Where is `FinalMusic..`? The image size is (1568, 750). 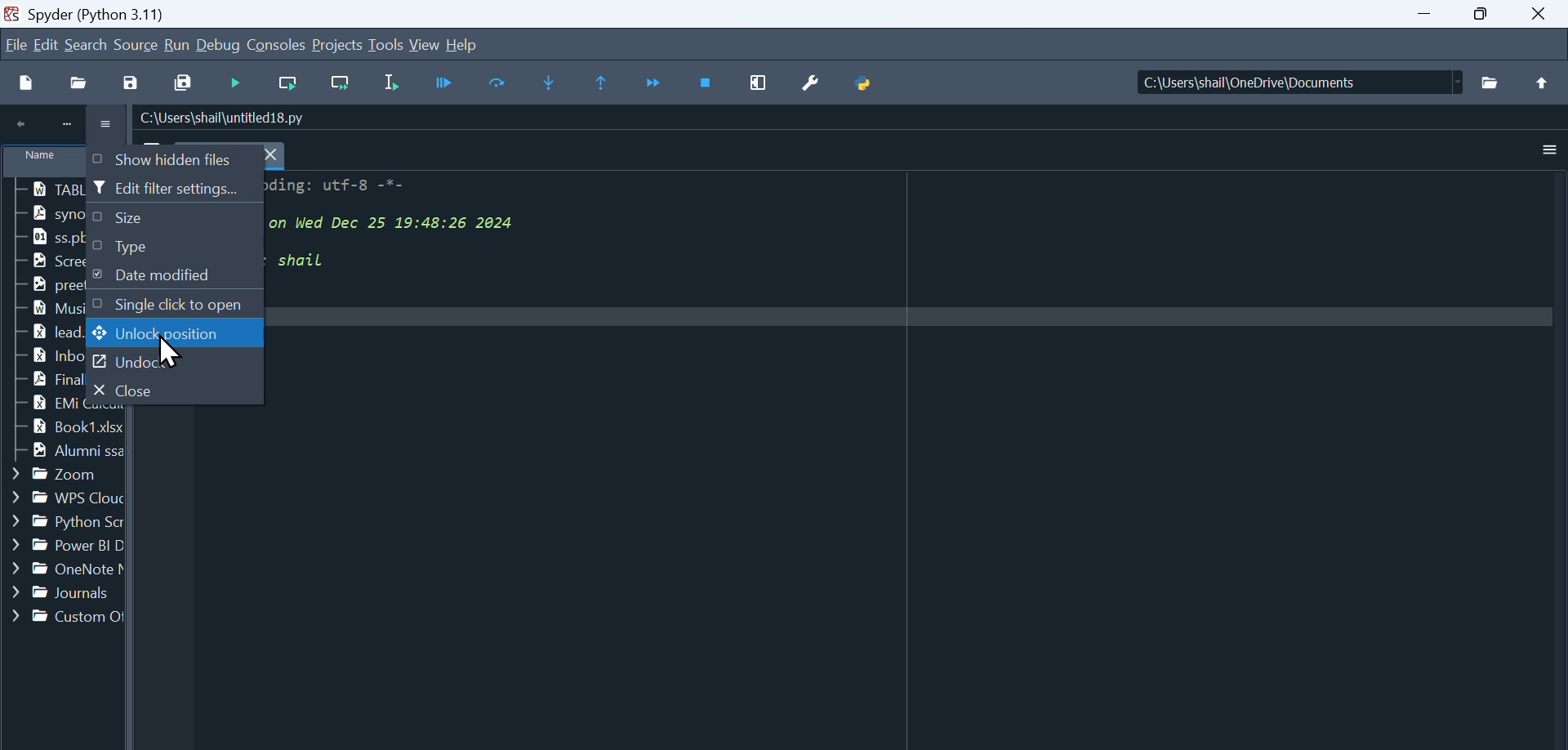
FinalMusic.. is located at coordinates (40, 378).